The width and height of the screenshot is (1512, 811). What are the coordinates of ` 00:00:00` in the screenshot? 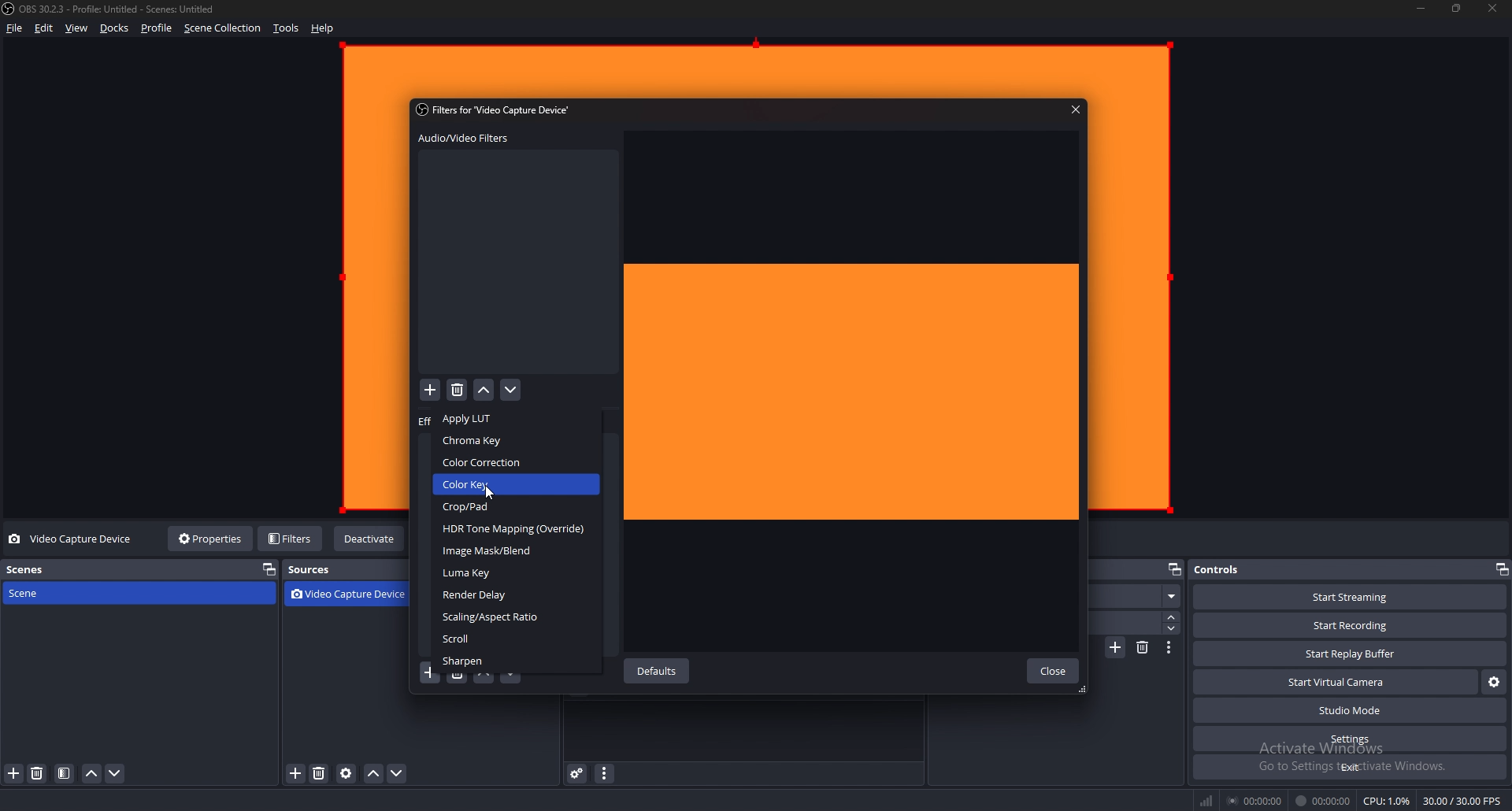 It's located at (1322, 801).